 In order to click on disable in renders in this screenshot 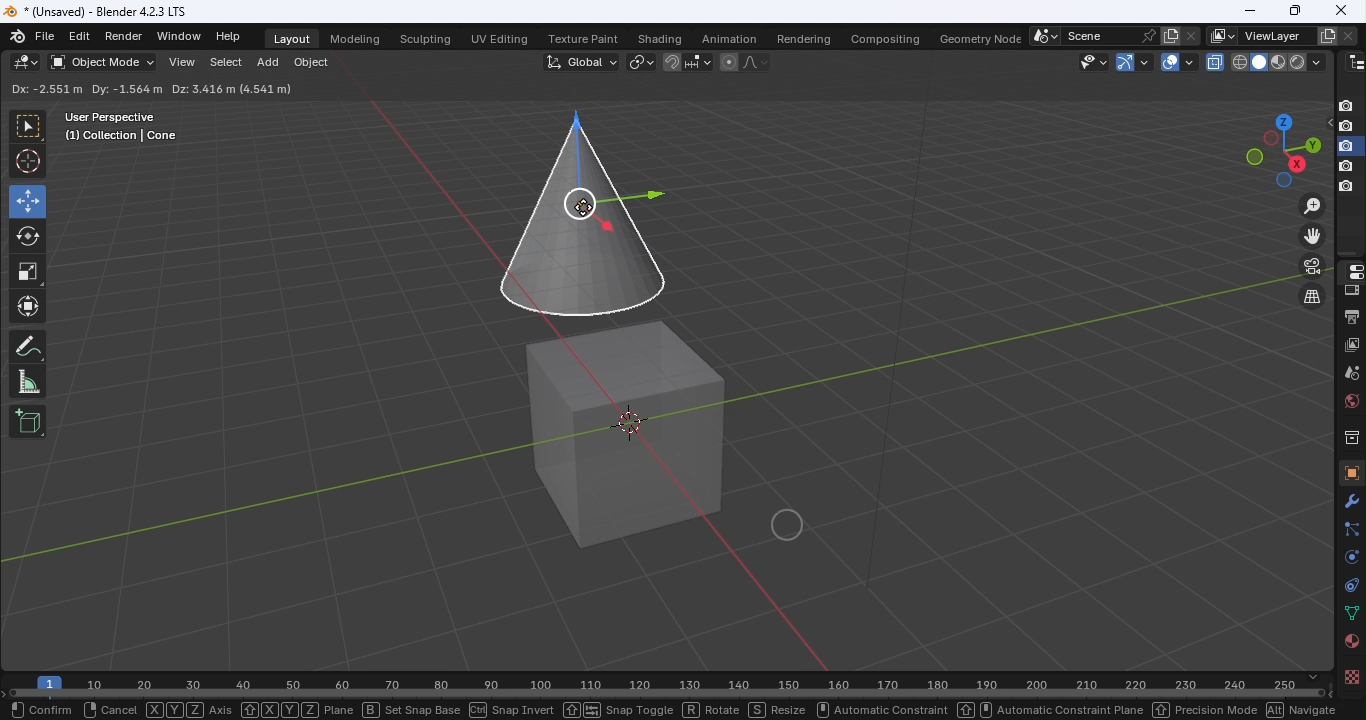, I will do `click(1346, 146)`.